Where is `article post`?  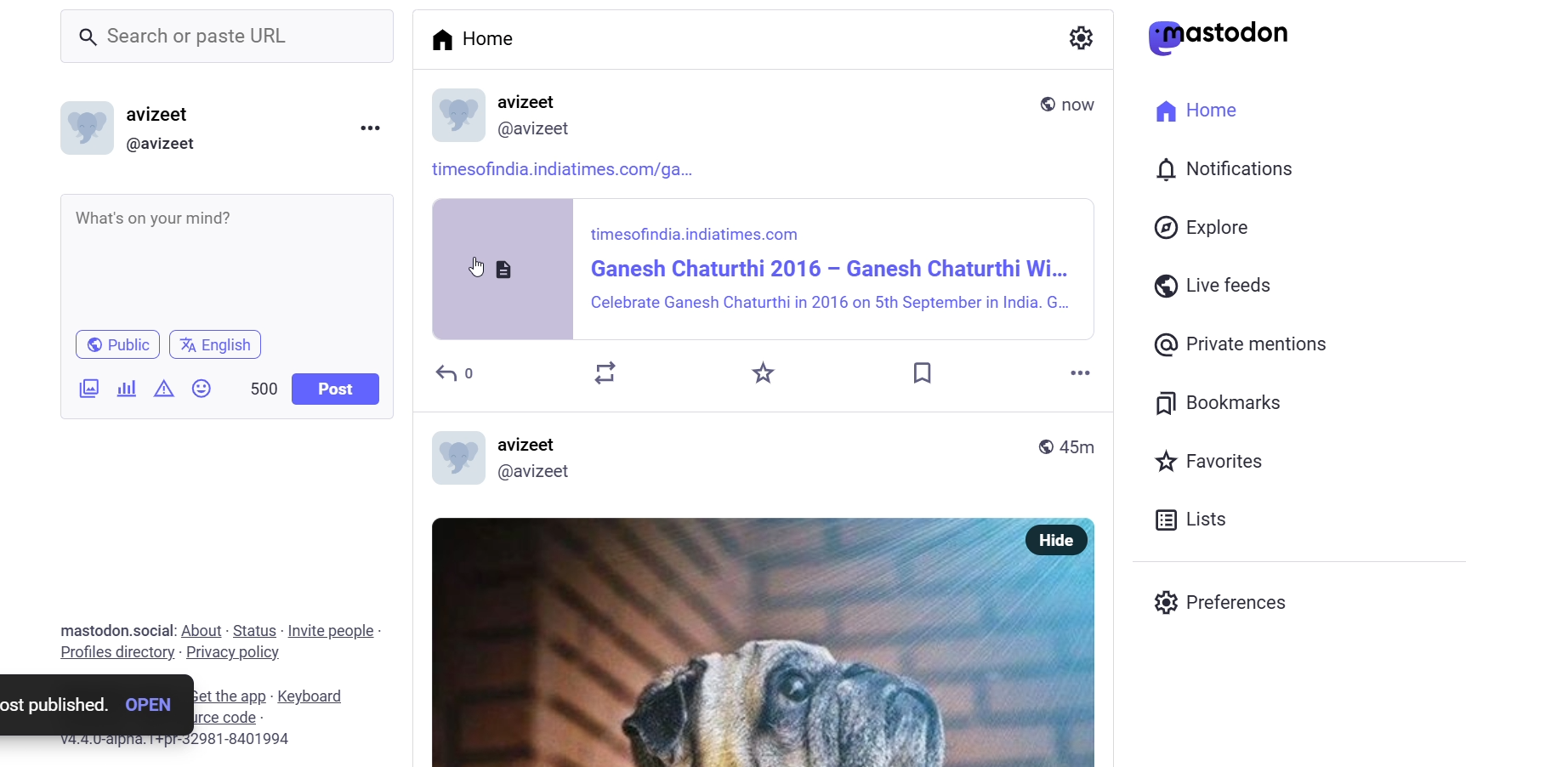 article post is located at coordinates (771, 270).